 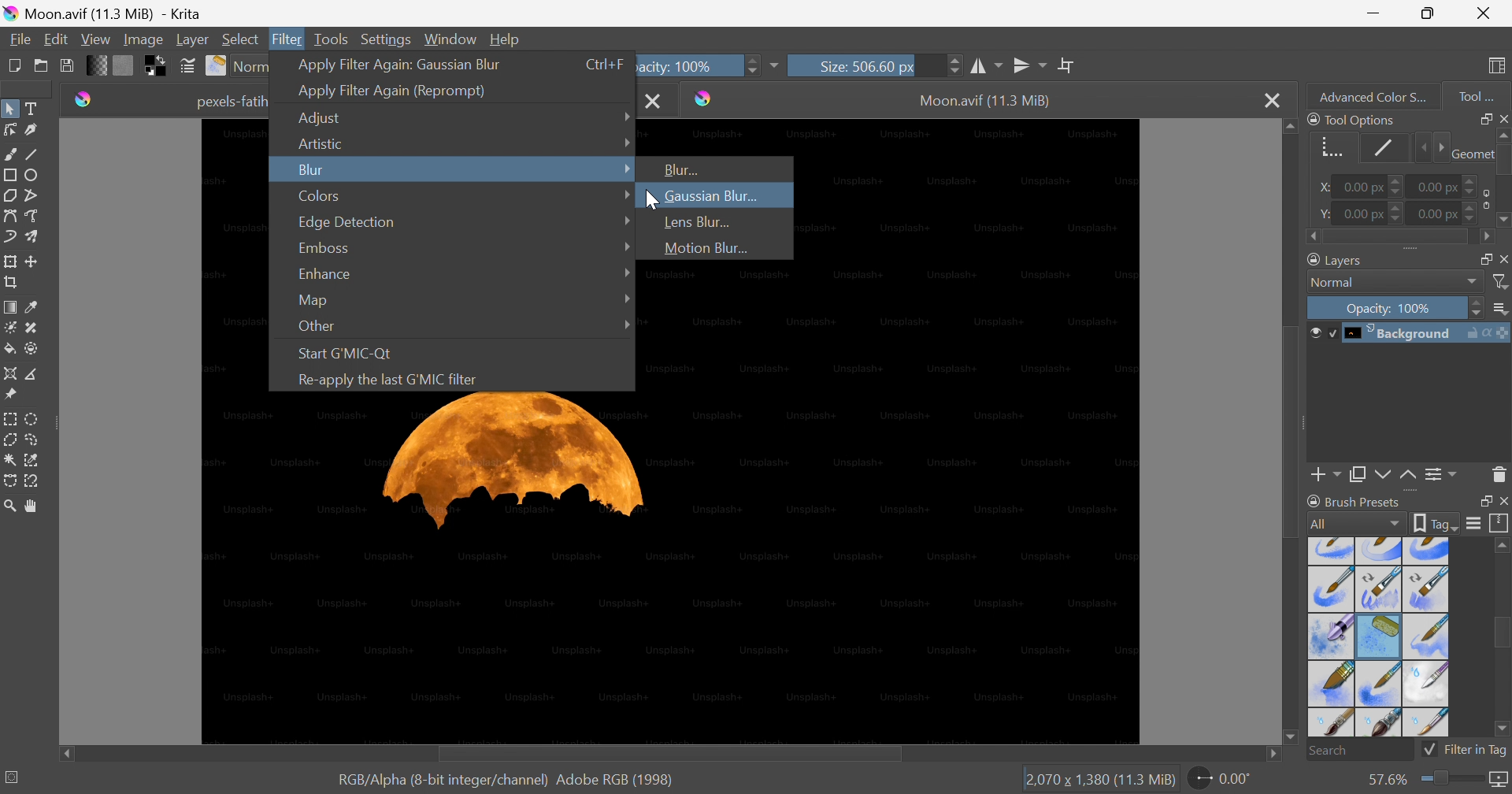 I want to click on Restore down, so click(x=1480, y=118).